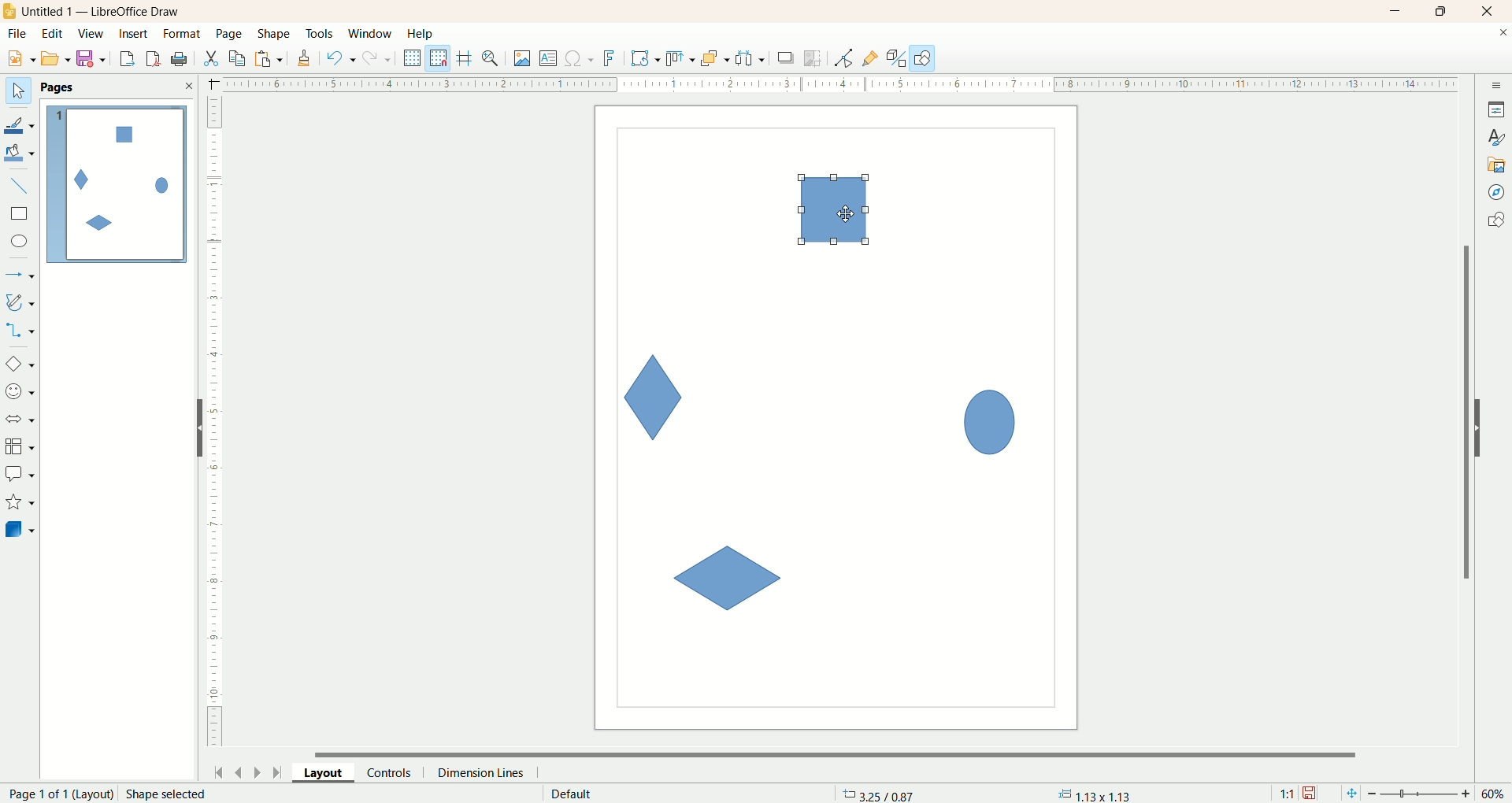  What do you see at coordinates (117, 184) in the screenshot?
I see `page1` at bounding box center [117, 184].